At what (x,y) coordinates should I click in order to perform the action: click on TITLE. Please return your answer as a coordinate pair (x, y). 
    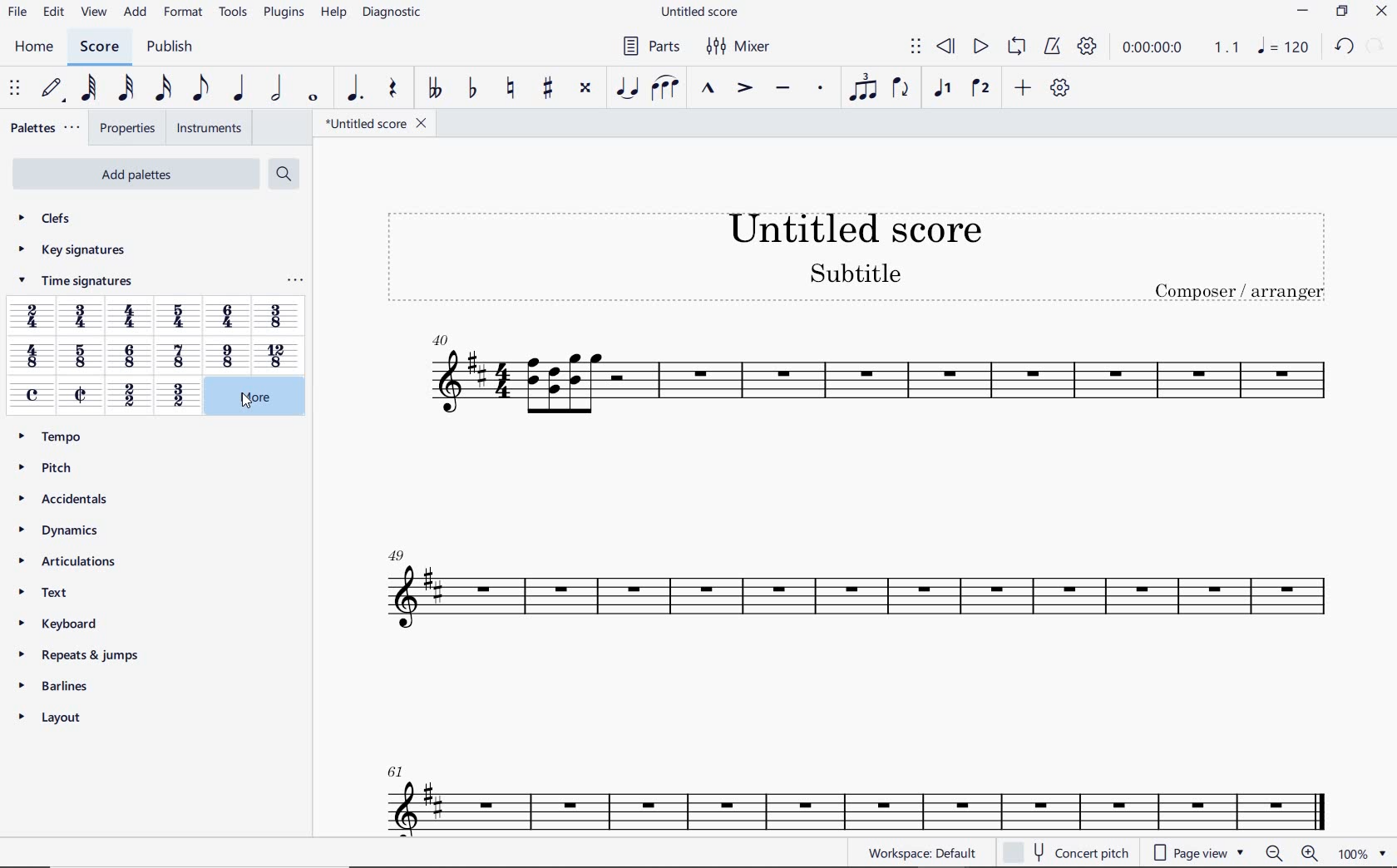
    Looking at the image, I should click on (853, 248).